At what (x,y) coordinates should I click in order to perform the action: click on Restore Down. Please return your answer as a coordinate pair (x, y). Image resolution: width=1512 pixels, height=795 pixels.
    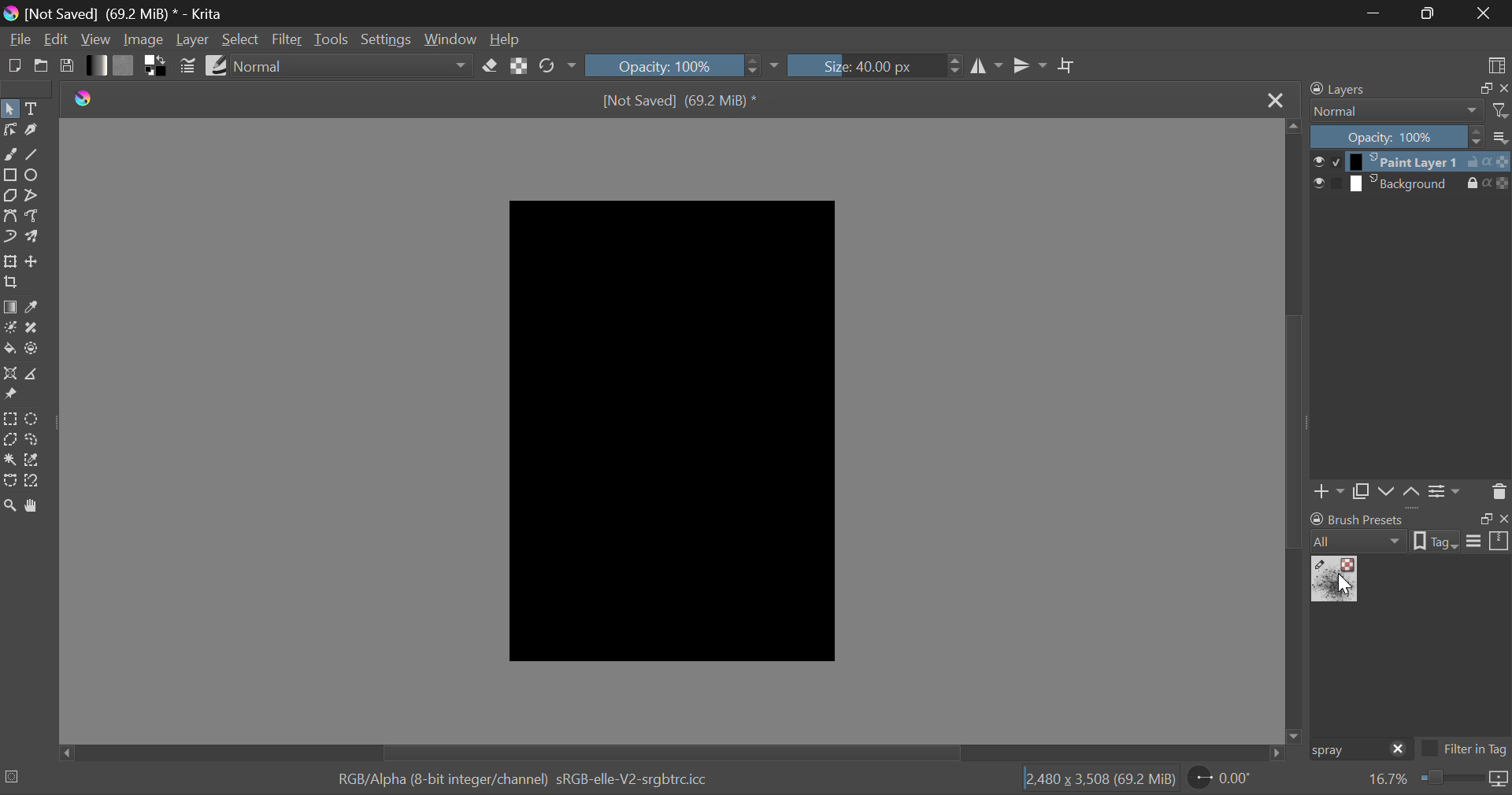
    Looking at the image, I should click on (1378, 13).